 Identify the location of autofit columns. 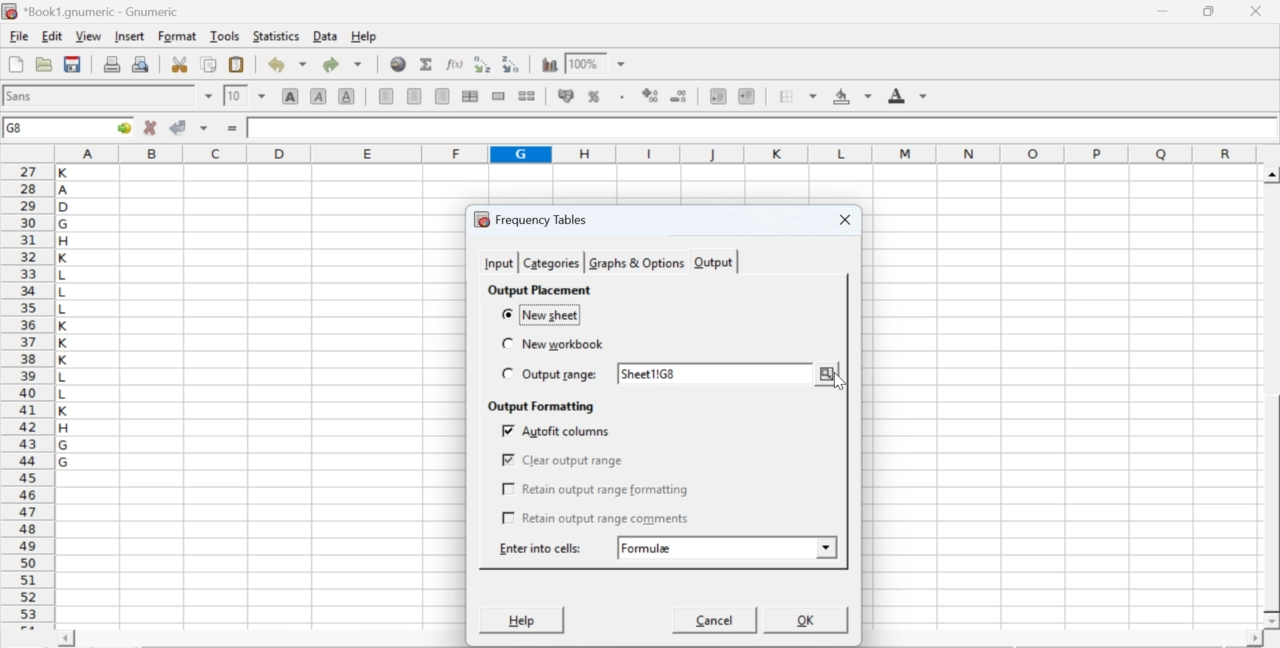
(558, 431).